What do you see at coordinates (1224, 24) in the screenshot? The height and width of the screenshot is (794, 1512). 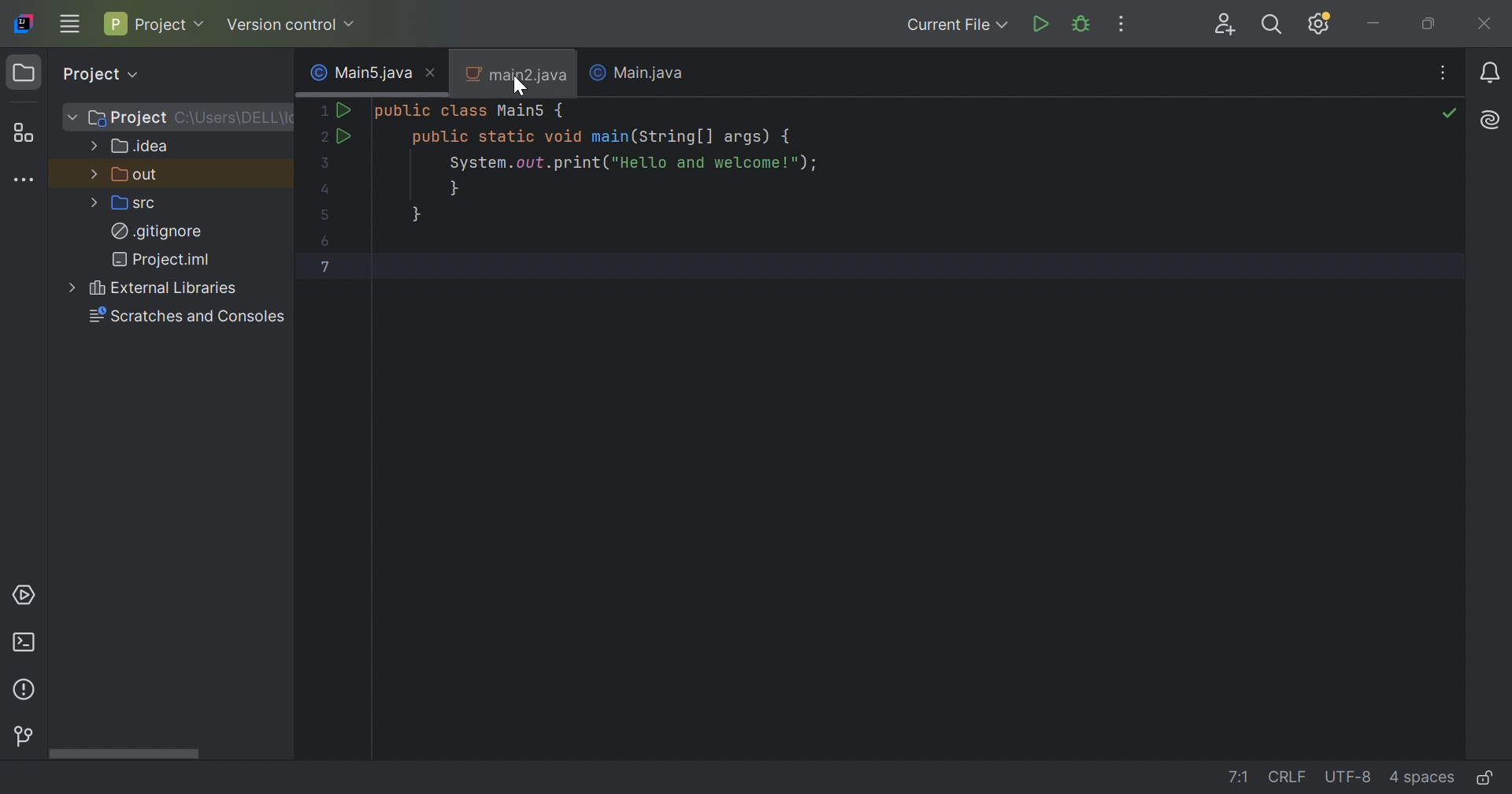 I see `Code With Me` at bounding box center [1224, 24].